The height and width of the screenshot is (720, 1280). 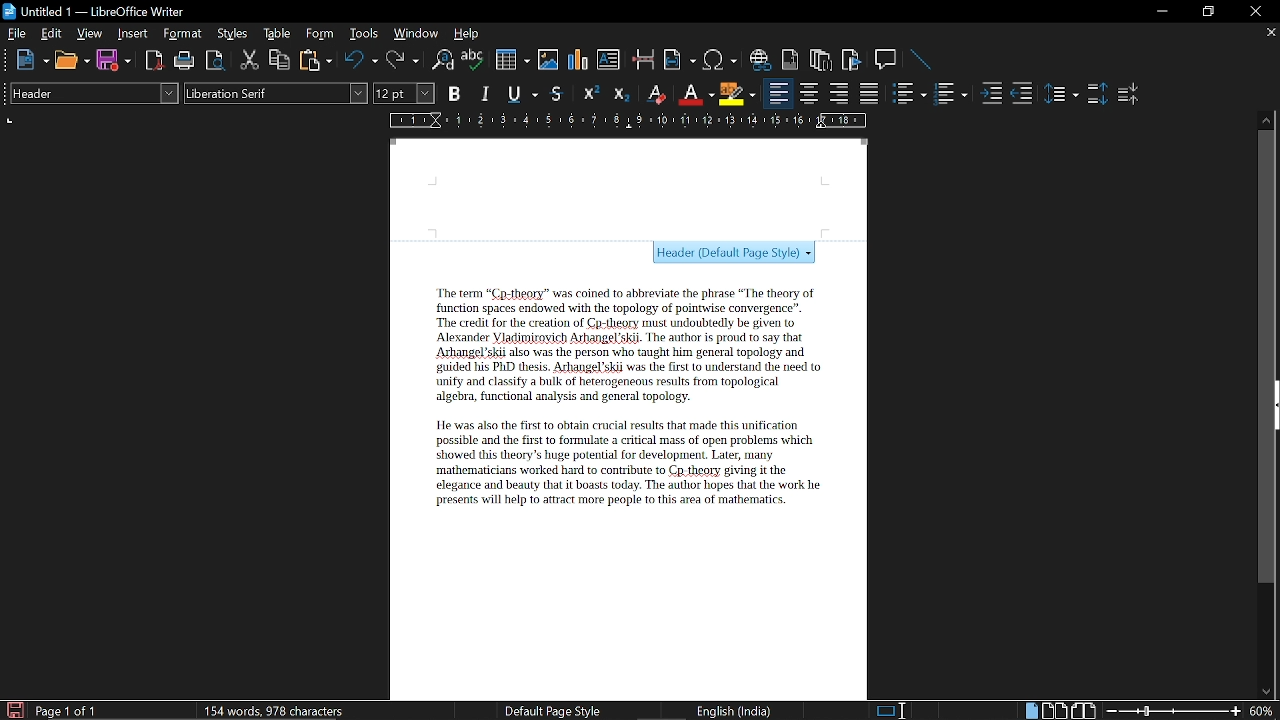 What do you see at coordinates (402, 60) in the screenshot?
I see `Redo` at bounding box center [402, 60].